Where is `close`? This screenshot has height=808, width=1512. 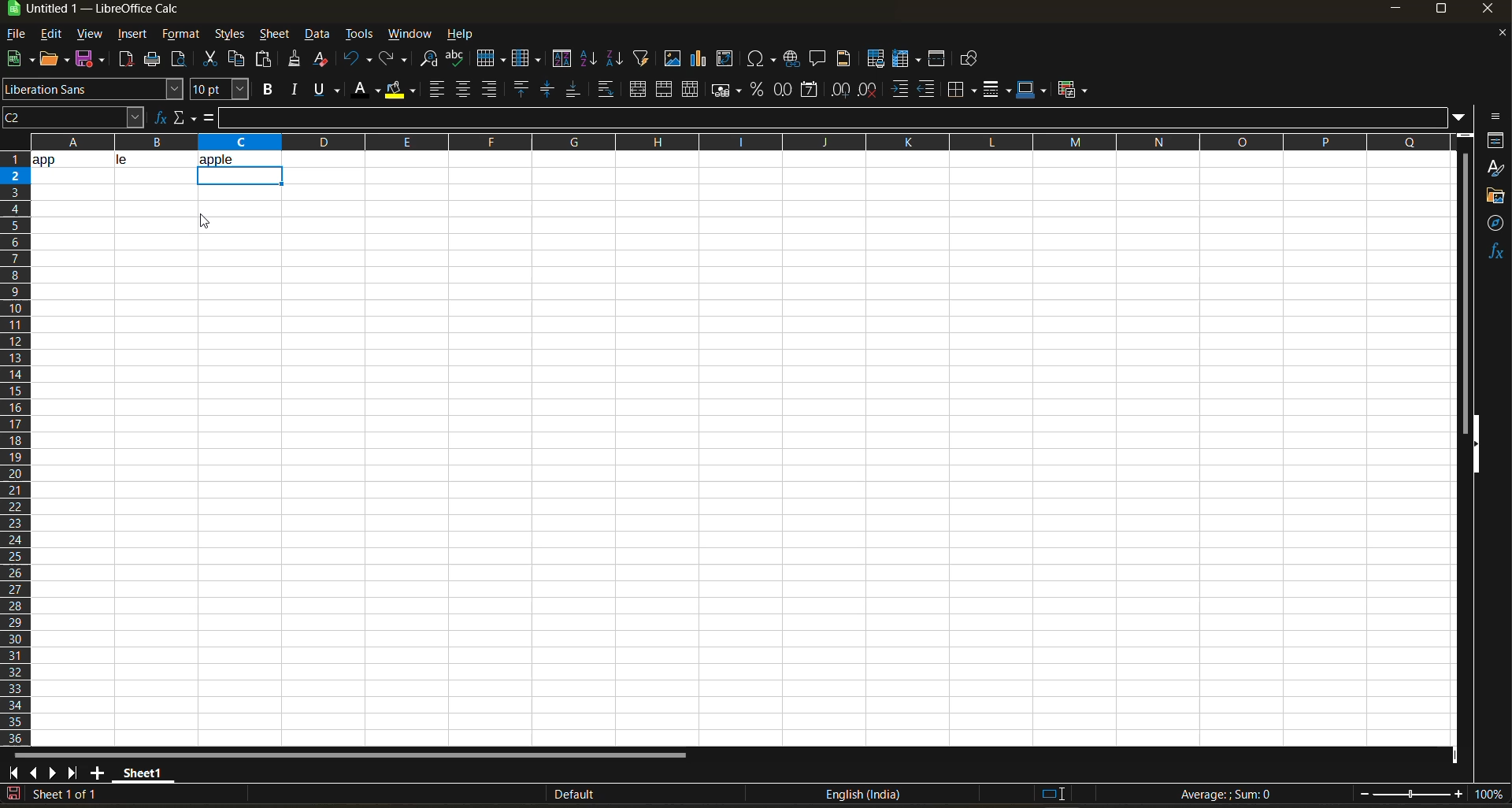 close is located at coordinates (1492, 12).